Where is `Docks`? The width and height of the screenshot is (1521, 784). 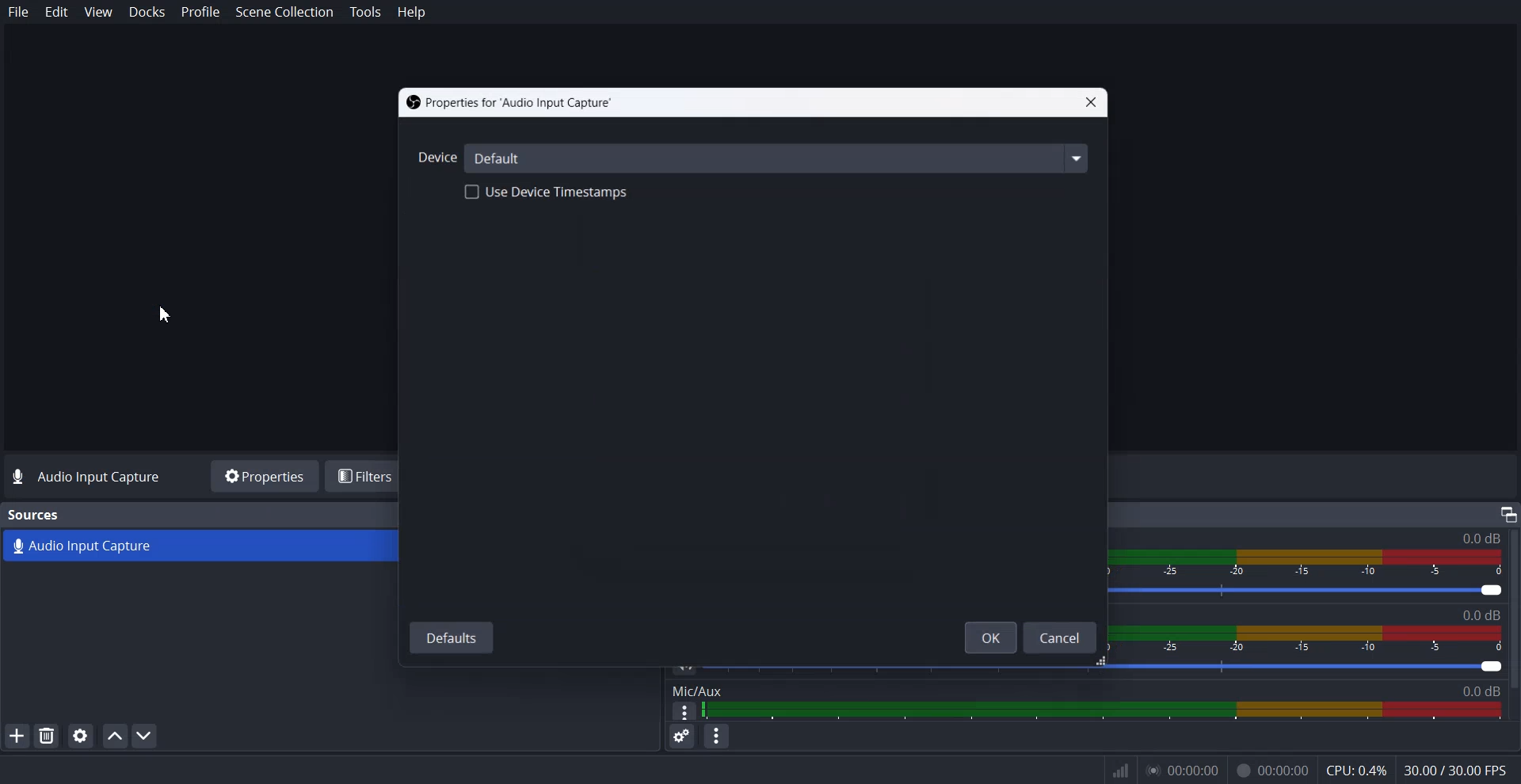 Docks is located at coordinates (147, 13).